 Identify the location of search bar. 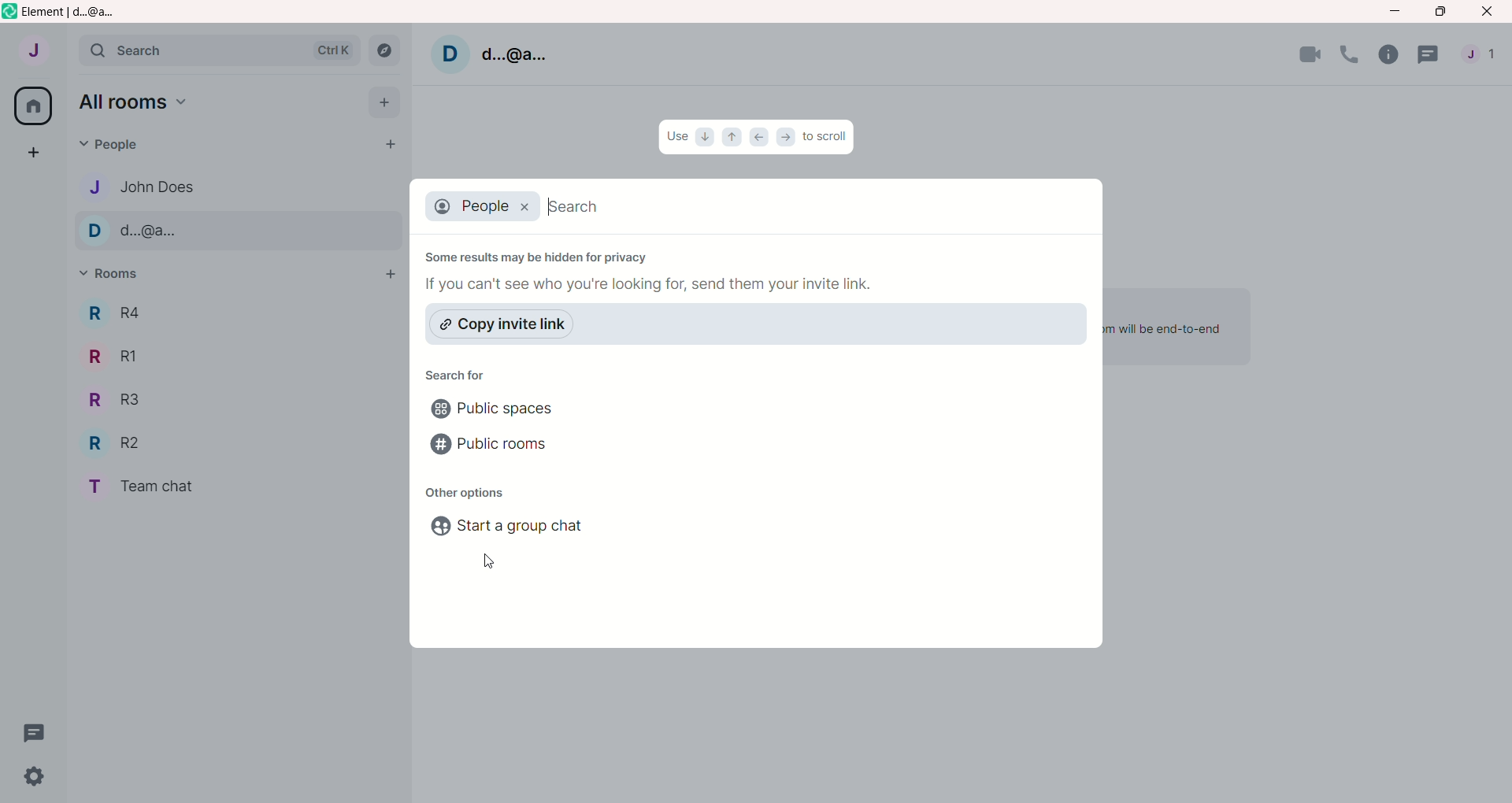
(219, 53).